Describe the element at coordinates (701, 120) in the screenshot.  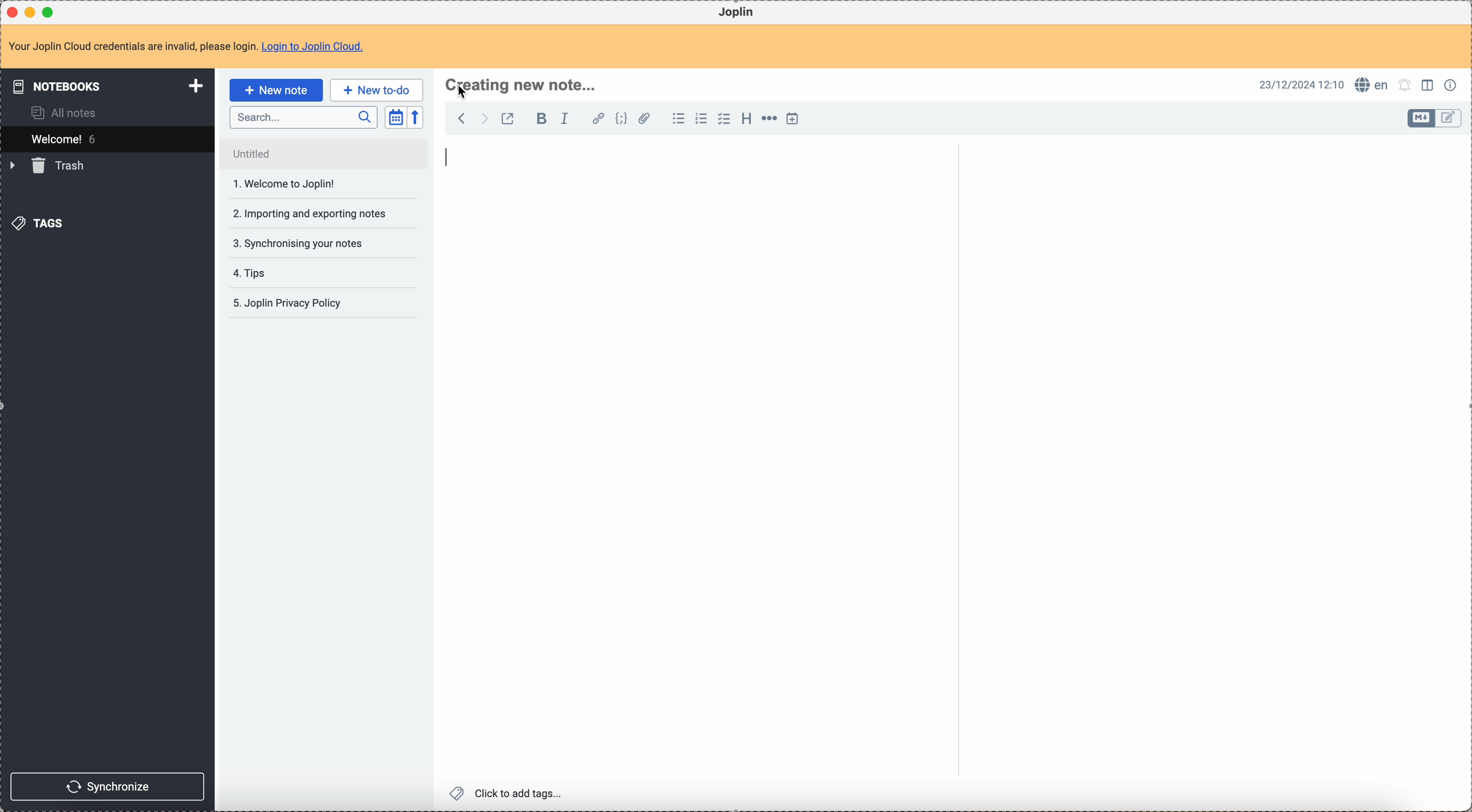
I see `numbered list` at that location.